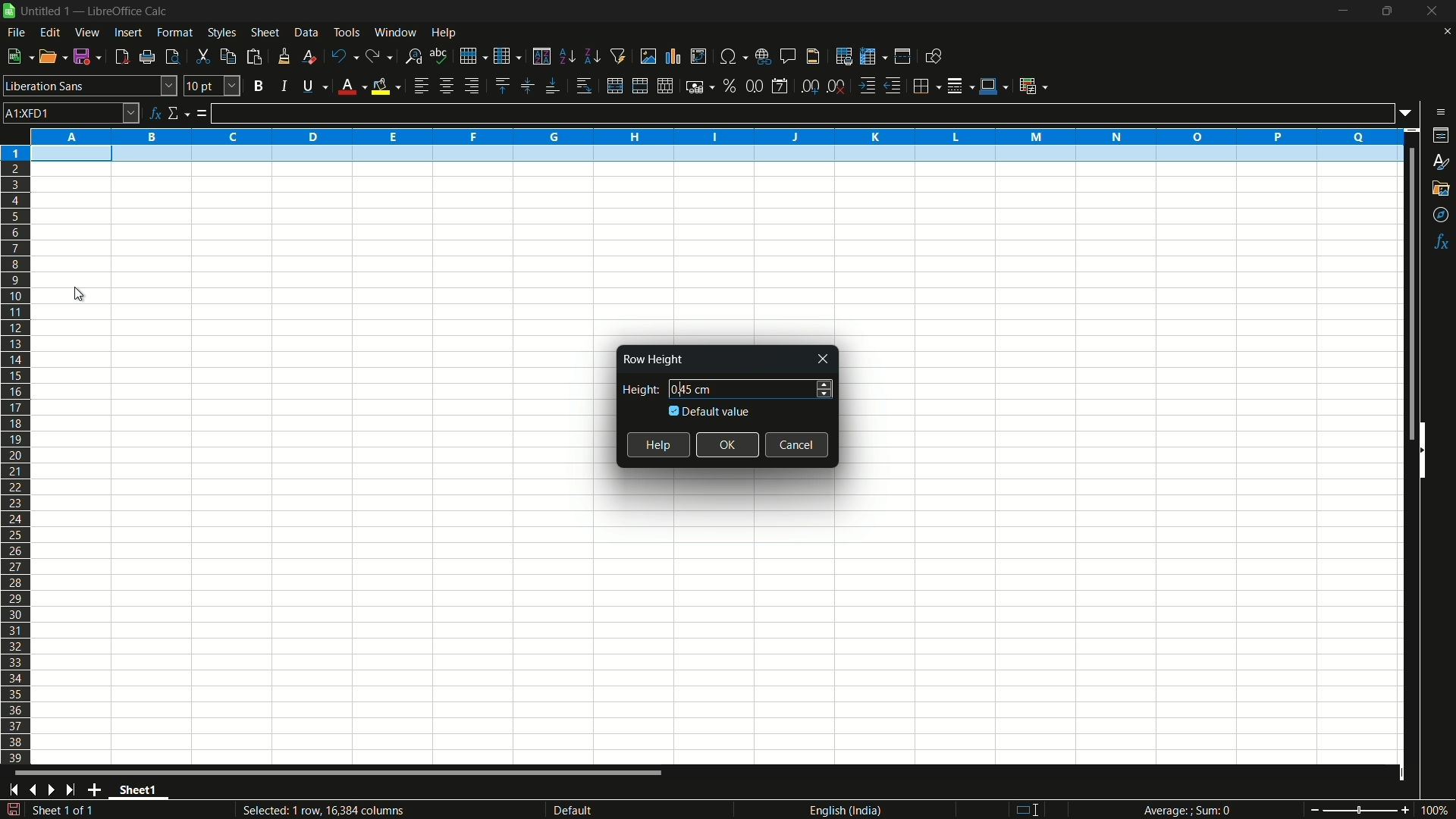  I want to click on column, so click(508, 57).